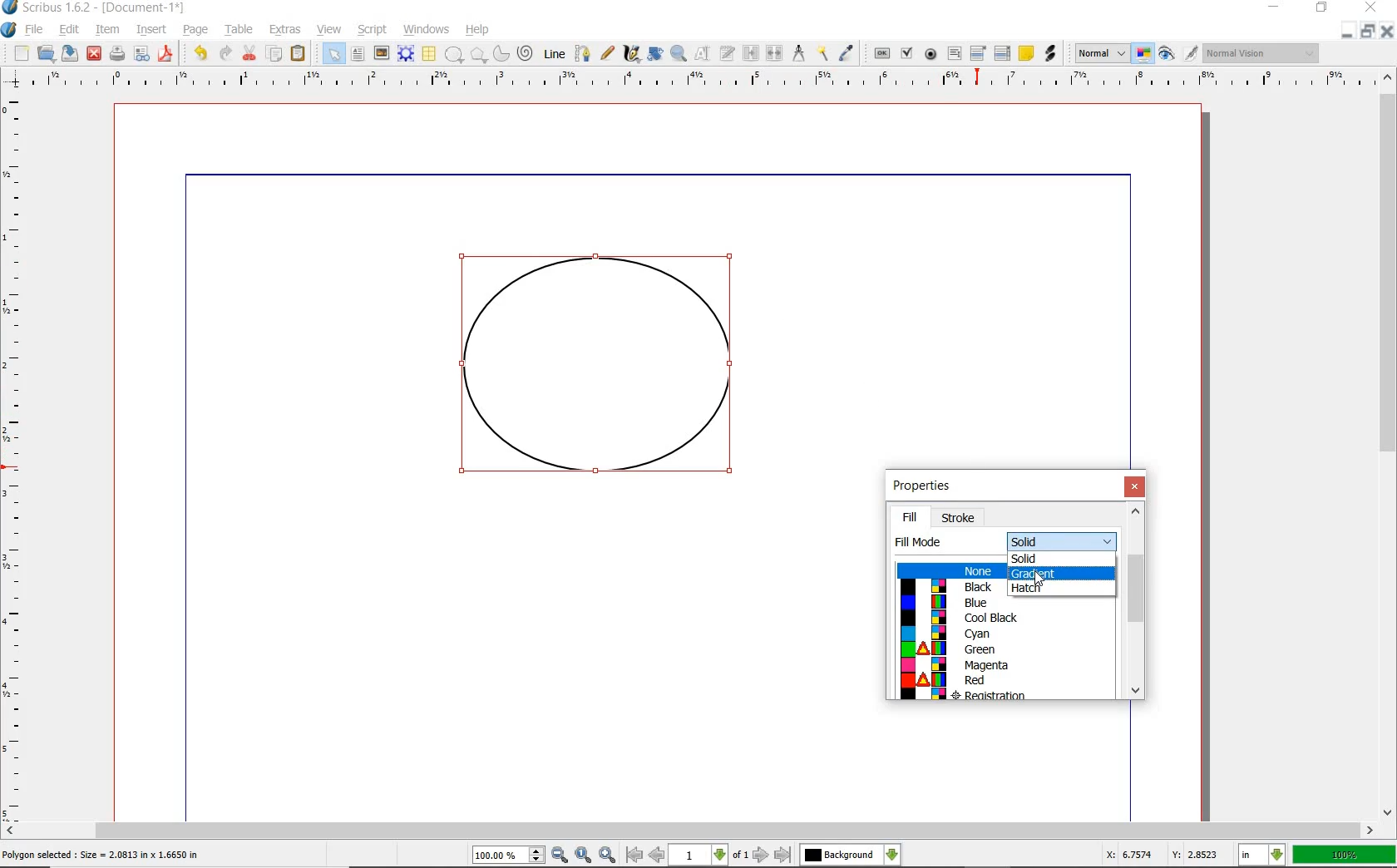  Describe the element at coordinates (782, 856) in the screenshot. I see `last` at that location.